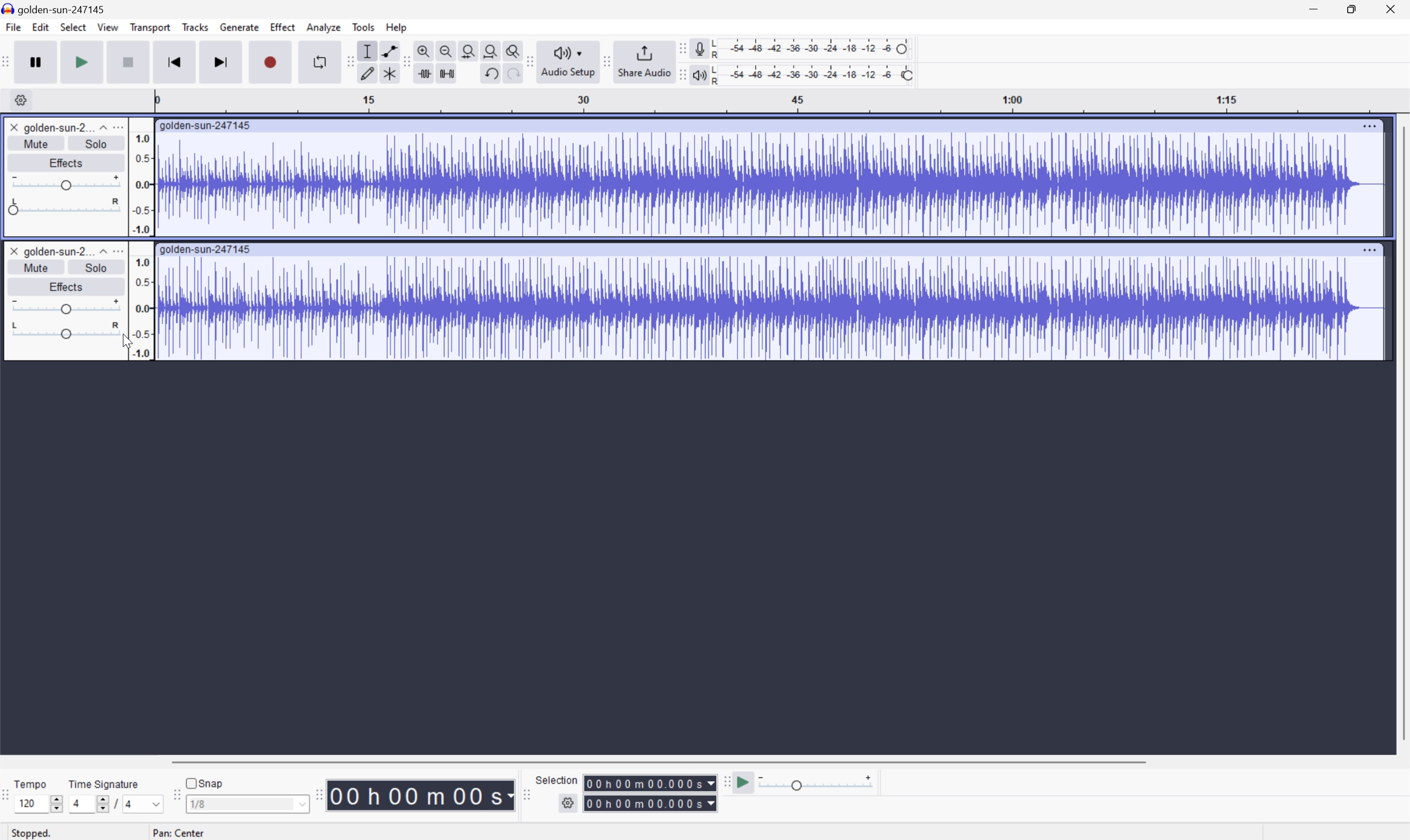 The height and width of the screenshot is (840, 1410). What do you see at coordinates (448, 73) in the screenshot?
I see `Silence audio selection` at bounding box center [448, 73].